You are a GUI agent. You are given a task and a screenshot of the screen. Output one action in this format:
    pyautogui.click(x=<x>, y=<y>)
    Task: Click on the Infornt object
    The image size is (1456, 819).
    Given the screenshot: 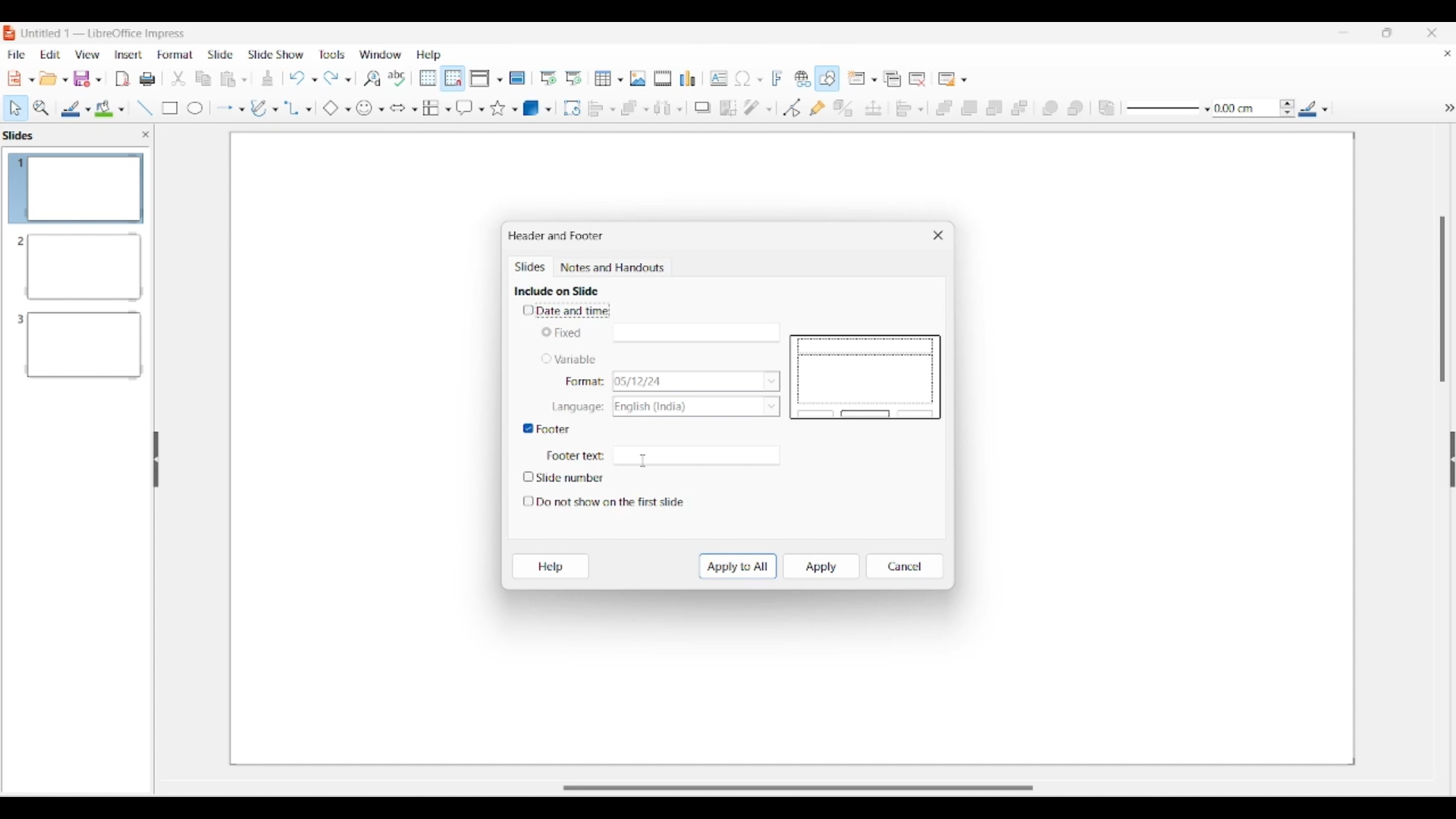 What is the action you would take?
    pyautogui.click(x=1050, y=108)
    